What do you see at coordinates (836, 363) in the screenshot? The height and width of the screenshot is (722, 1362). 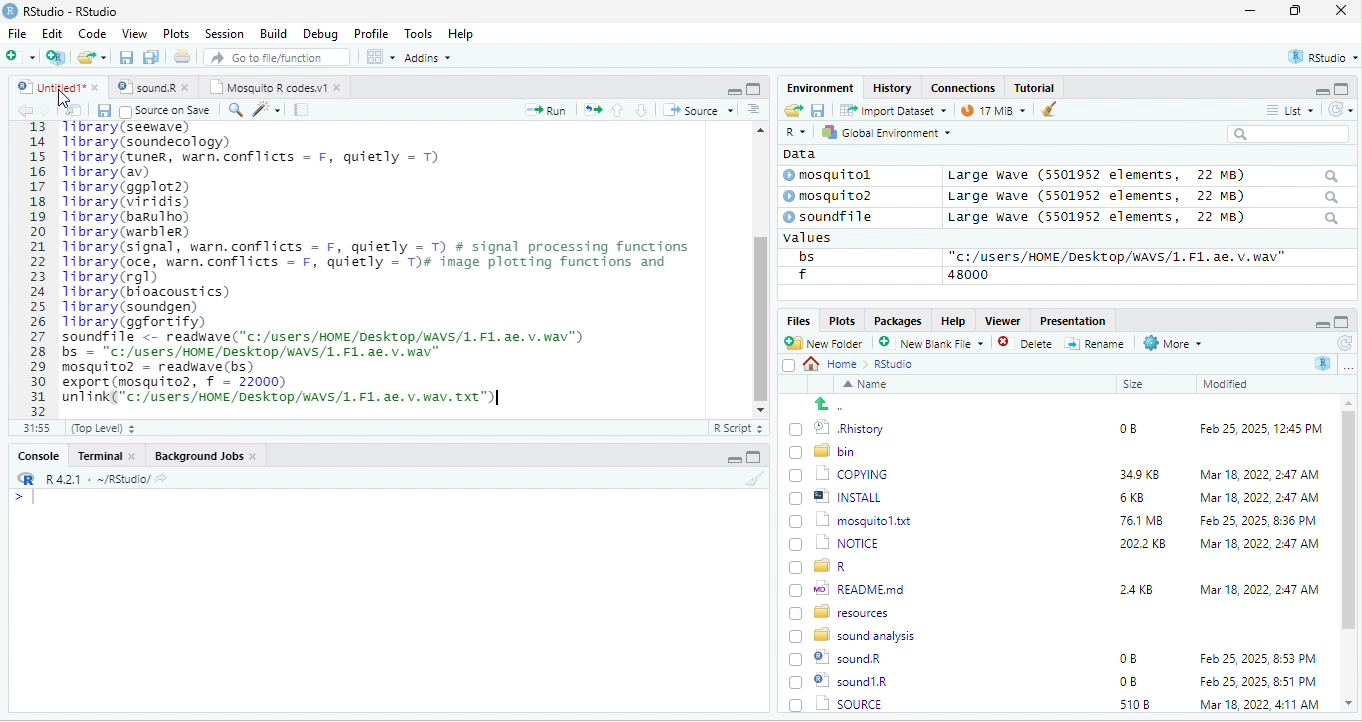 I see ` Home` at bounding box center [836, 363].